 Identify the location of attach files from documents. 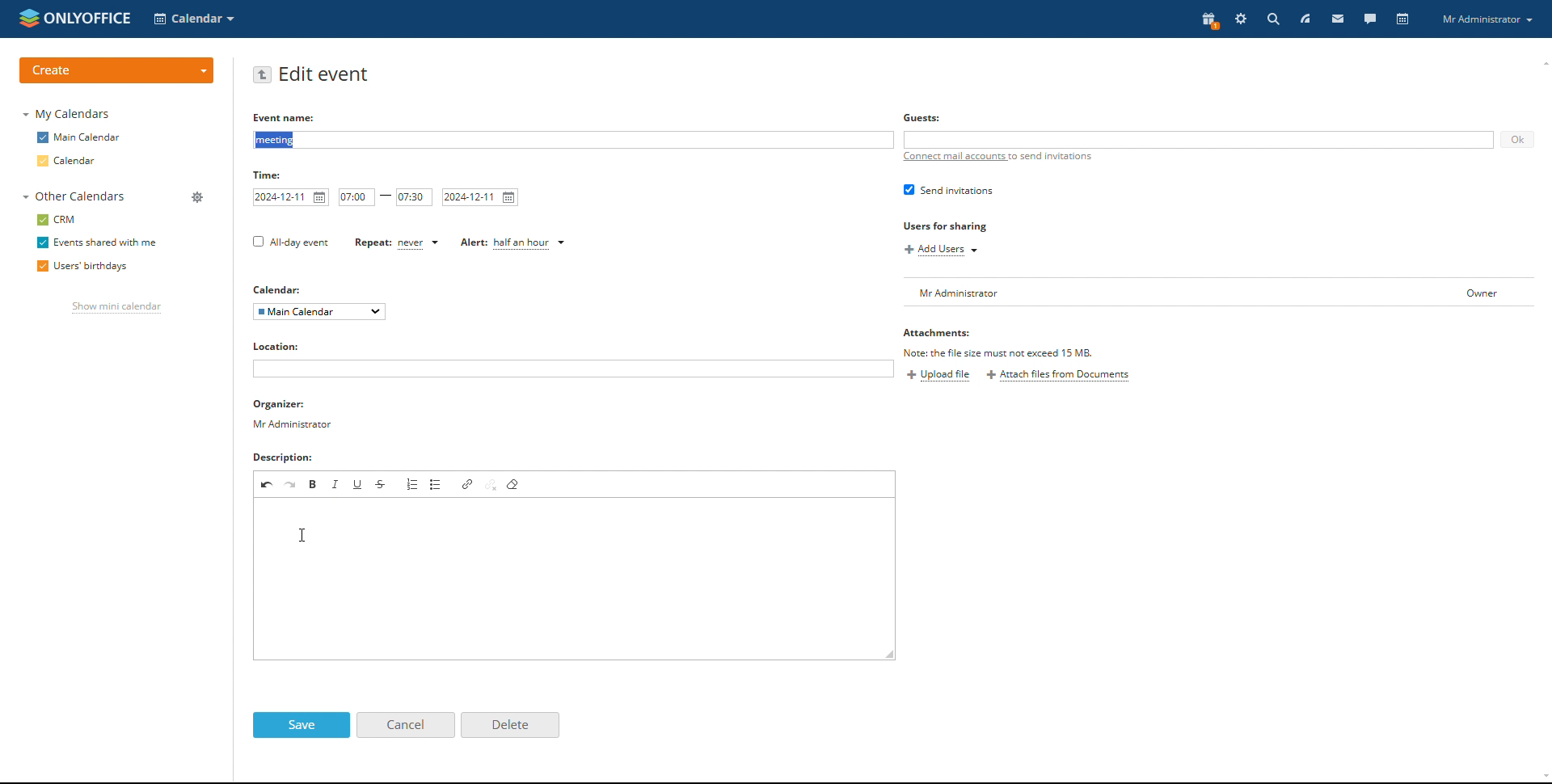
(1058, 374).